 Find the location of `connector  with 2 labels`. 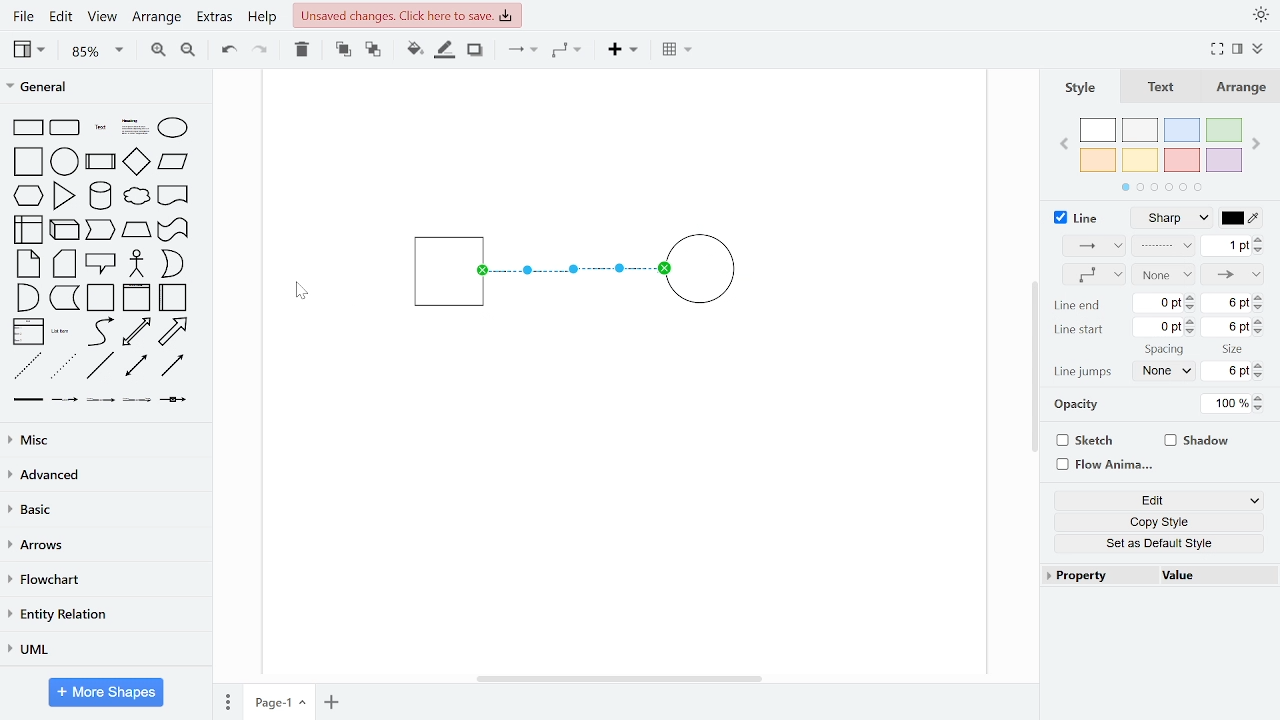

connector  with 2 labels is located at coordinates (102, 400).